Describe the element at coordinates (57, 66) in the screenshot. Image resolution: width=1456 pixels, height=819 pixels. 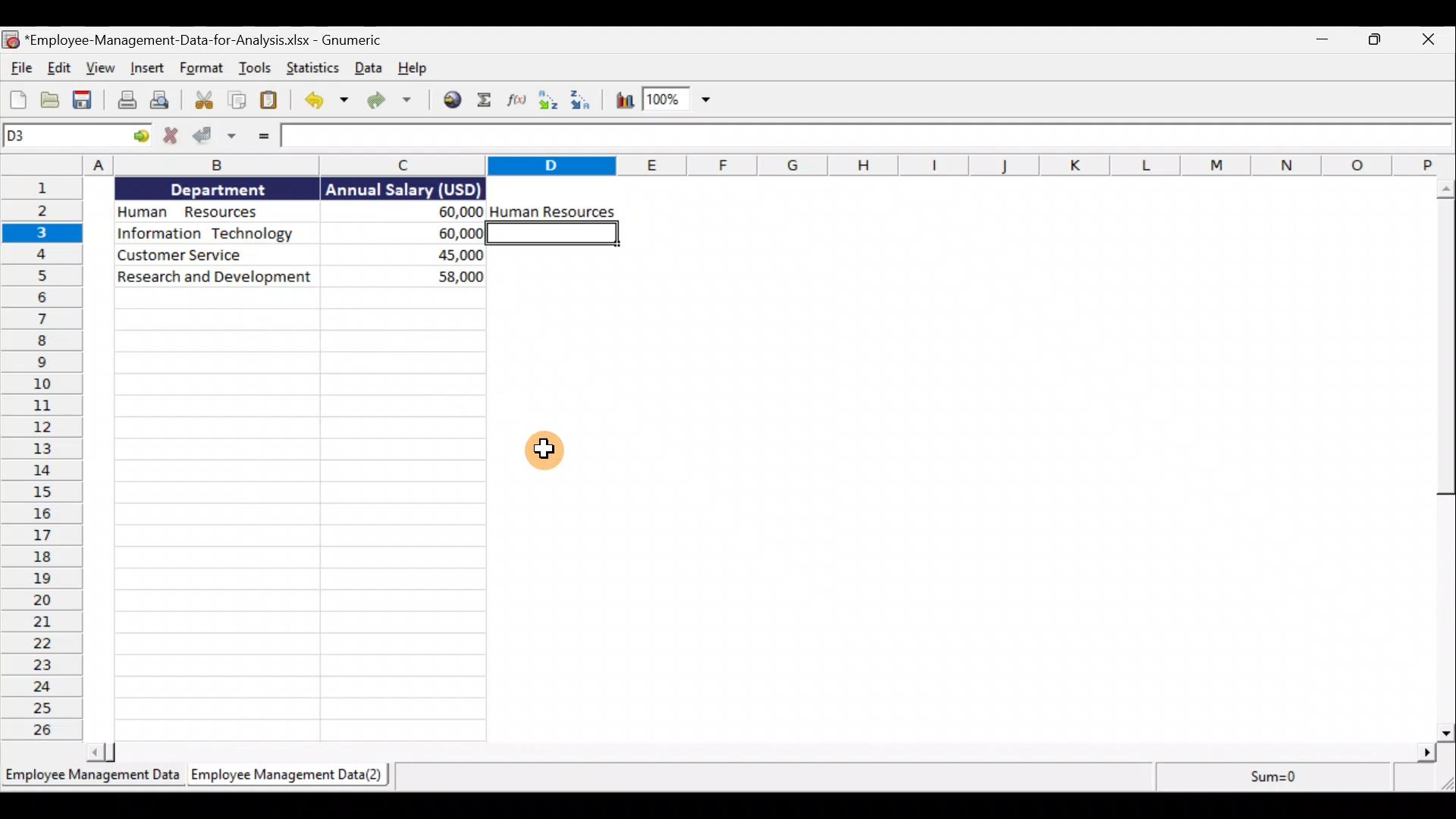
I see `Edit` at that location.